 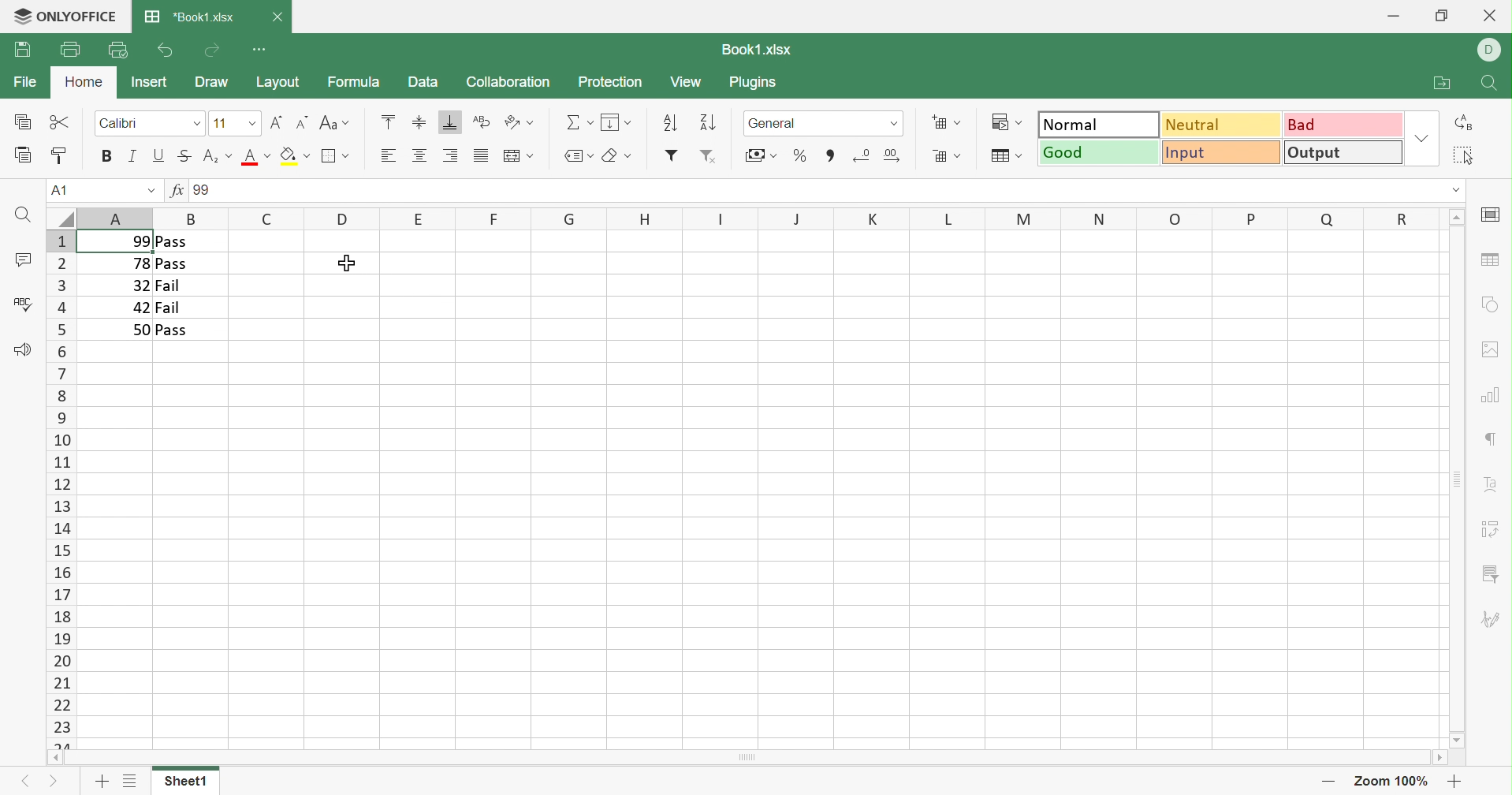 What do you see at coordinates (24, 262) in the screenshot?
I see `Comments` at bounding box center [24, 262].